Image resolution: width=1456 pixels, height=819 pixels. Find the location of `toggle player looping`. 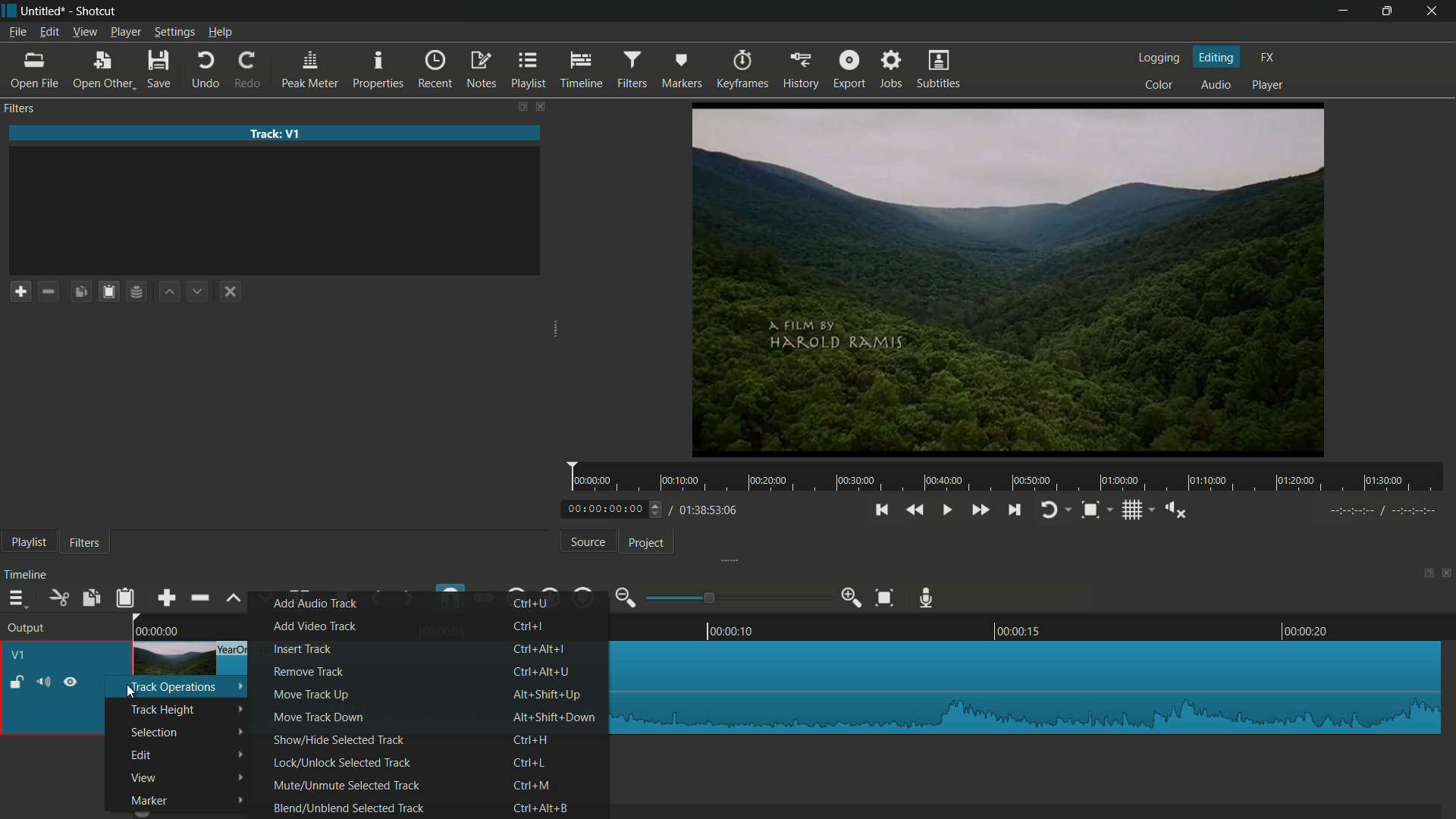

toggle player looping is located at coordinates (1048, 510).